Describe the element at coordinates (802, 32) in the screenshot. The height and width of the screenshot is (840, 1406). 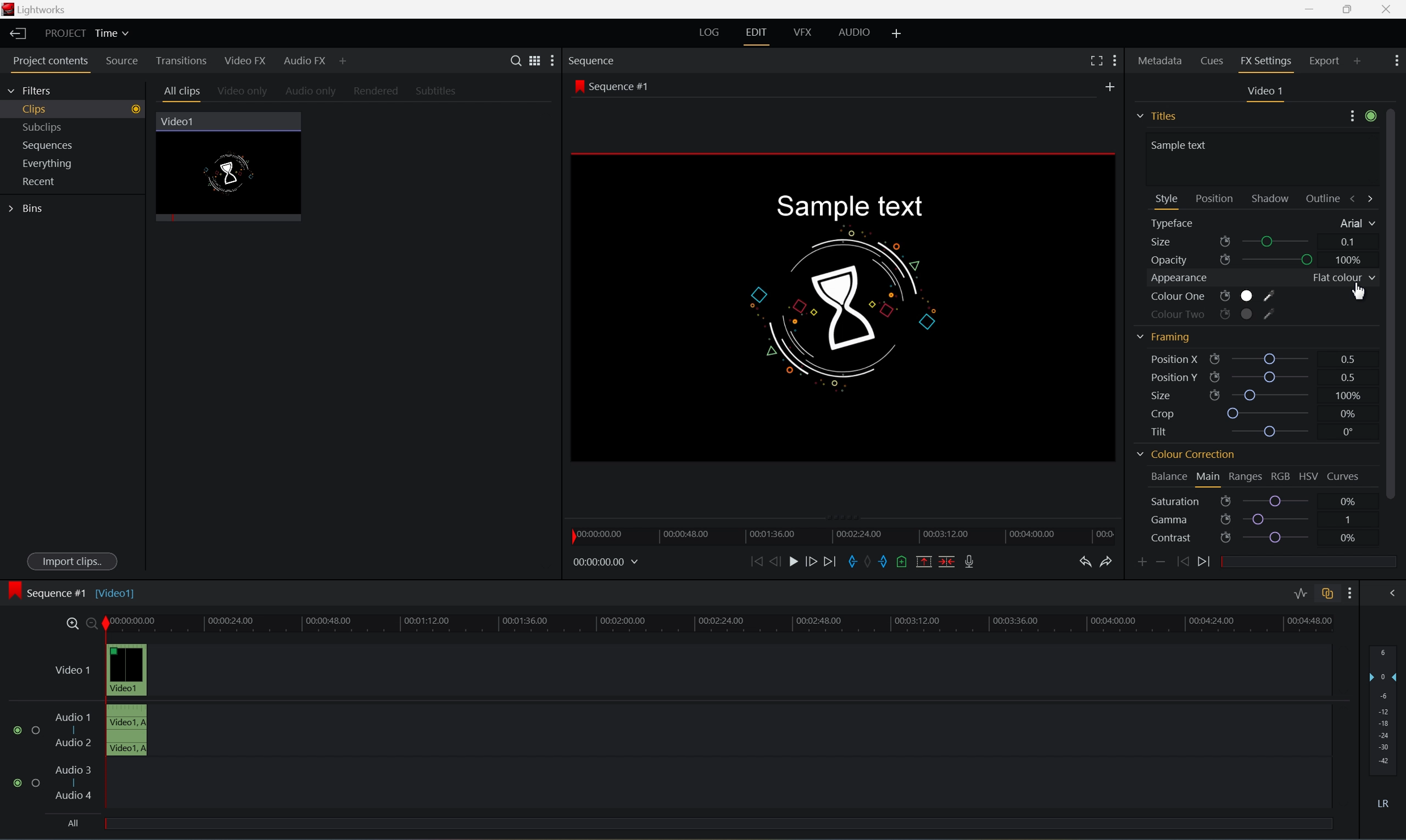
I see `vfx` at that location.